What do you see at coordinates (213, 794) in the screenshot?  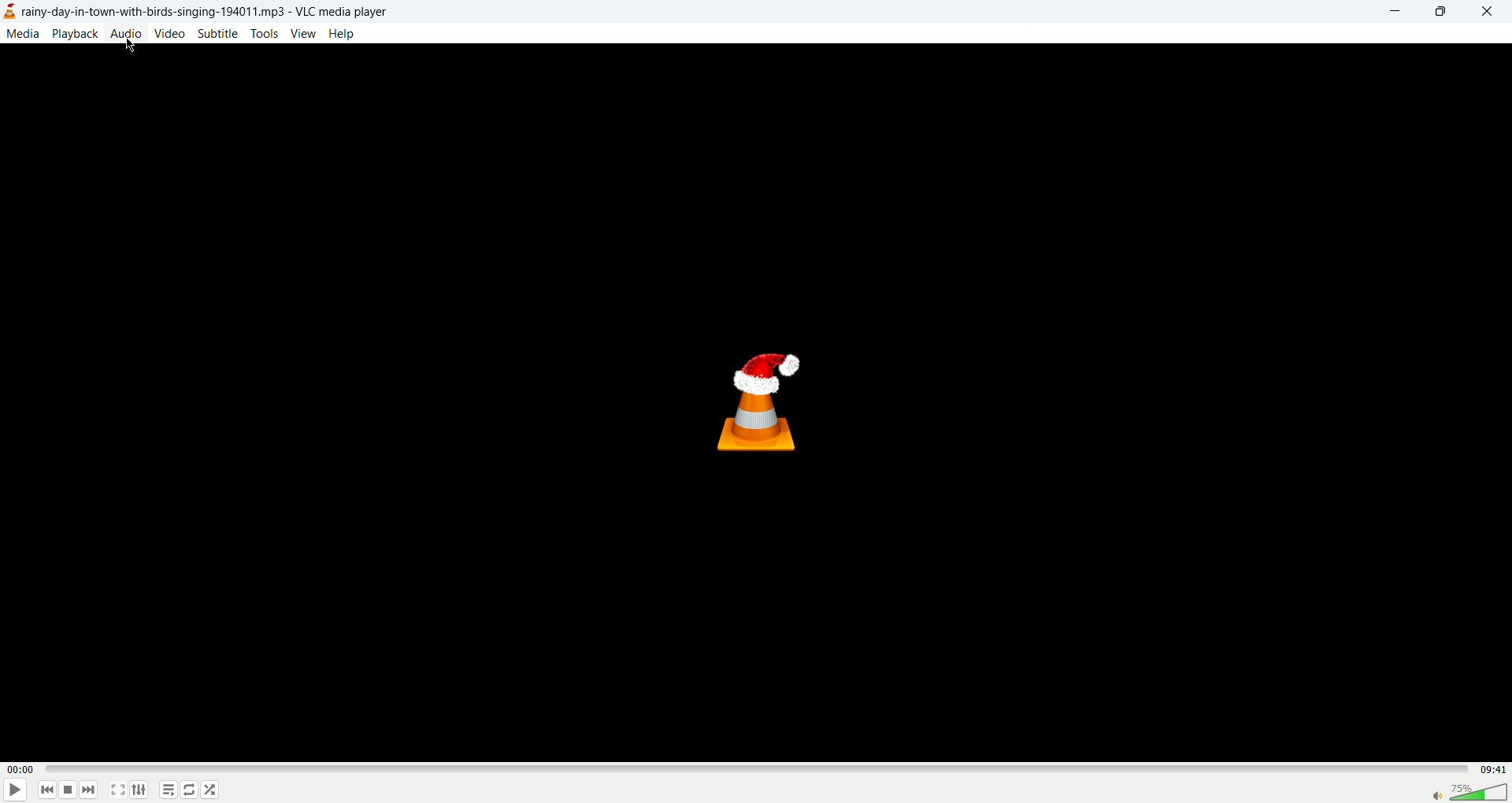 I see `shuffle` at bounding box center [213, 794].